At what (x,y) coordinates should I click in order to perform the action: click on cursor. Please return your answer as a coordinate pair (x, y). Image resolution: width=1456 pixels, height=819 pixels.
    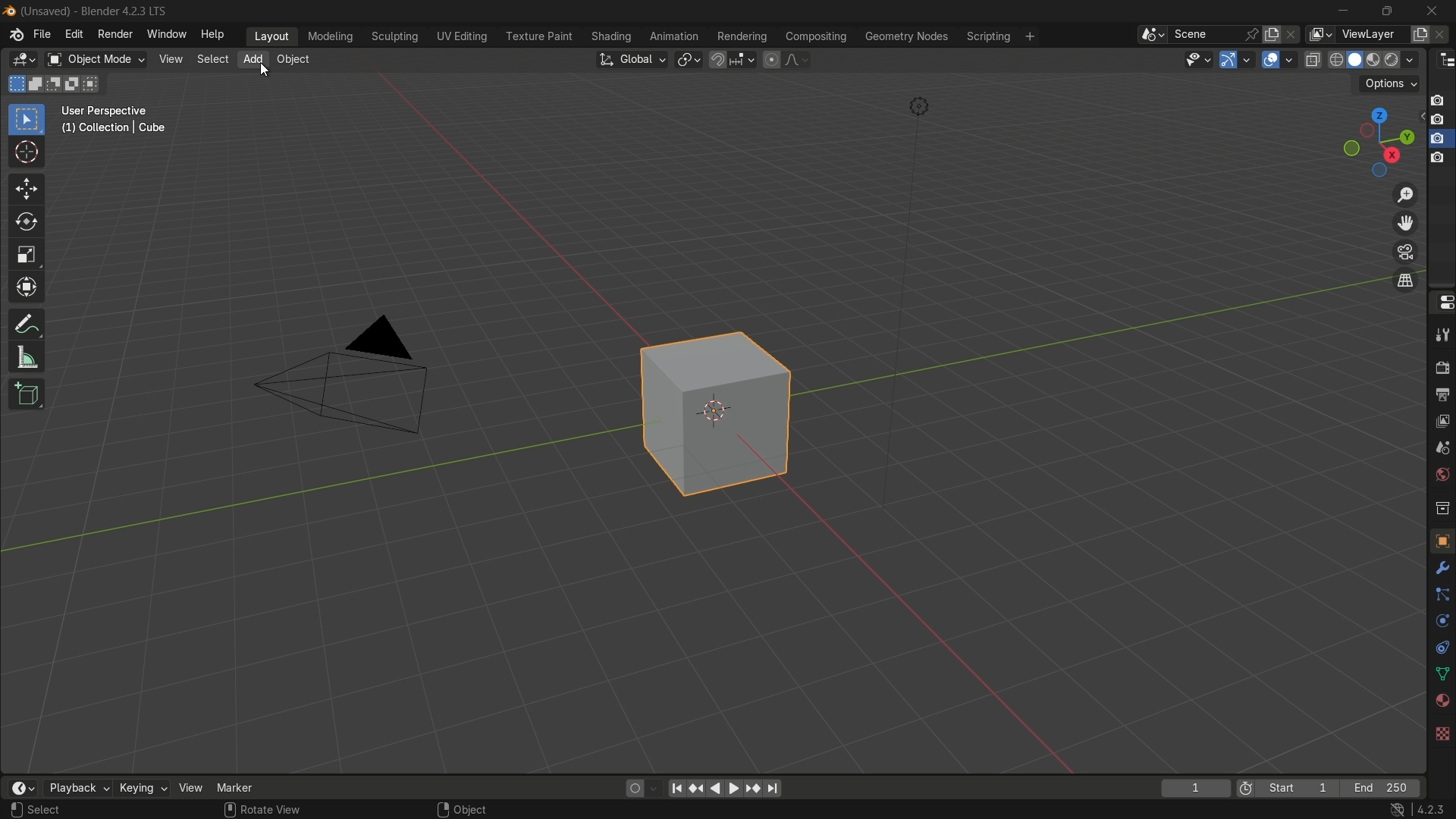
    Looking at the image, I should click on (264, 71).